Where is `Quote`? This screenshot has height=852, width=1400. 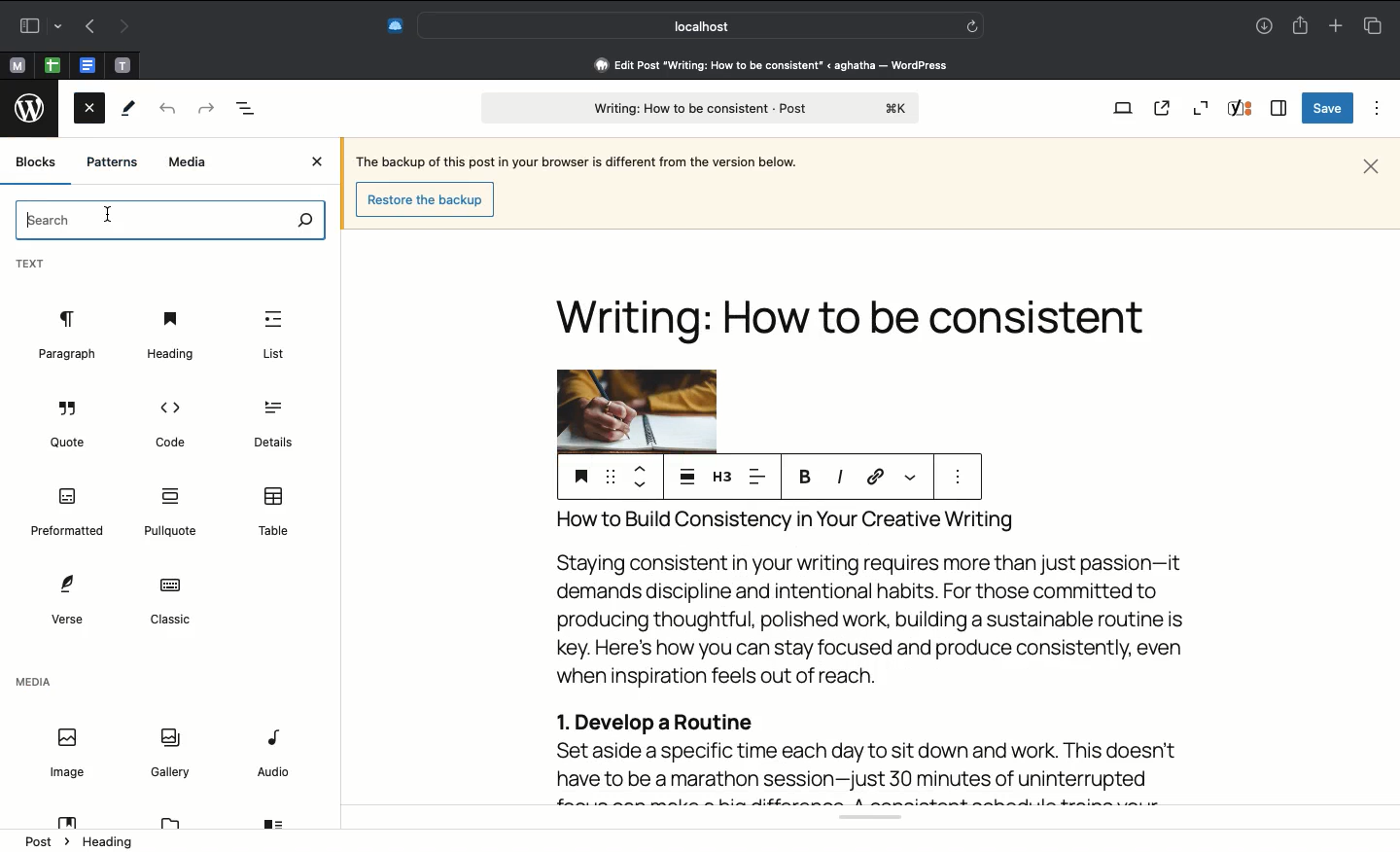 Quote is located at coordinates (70, 427).